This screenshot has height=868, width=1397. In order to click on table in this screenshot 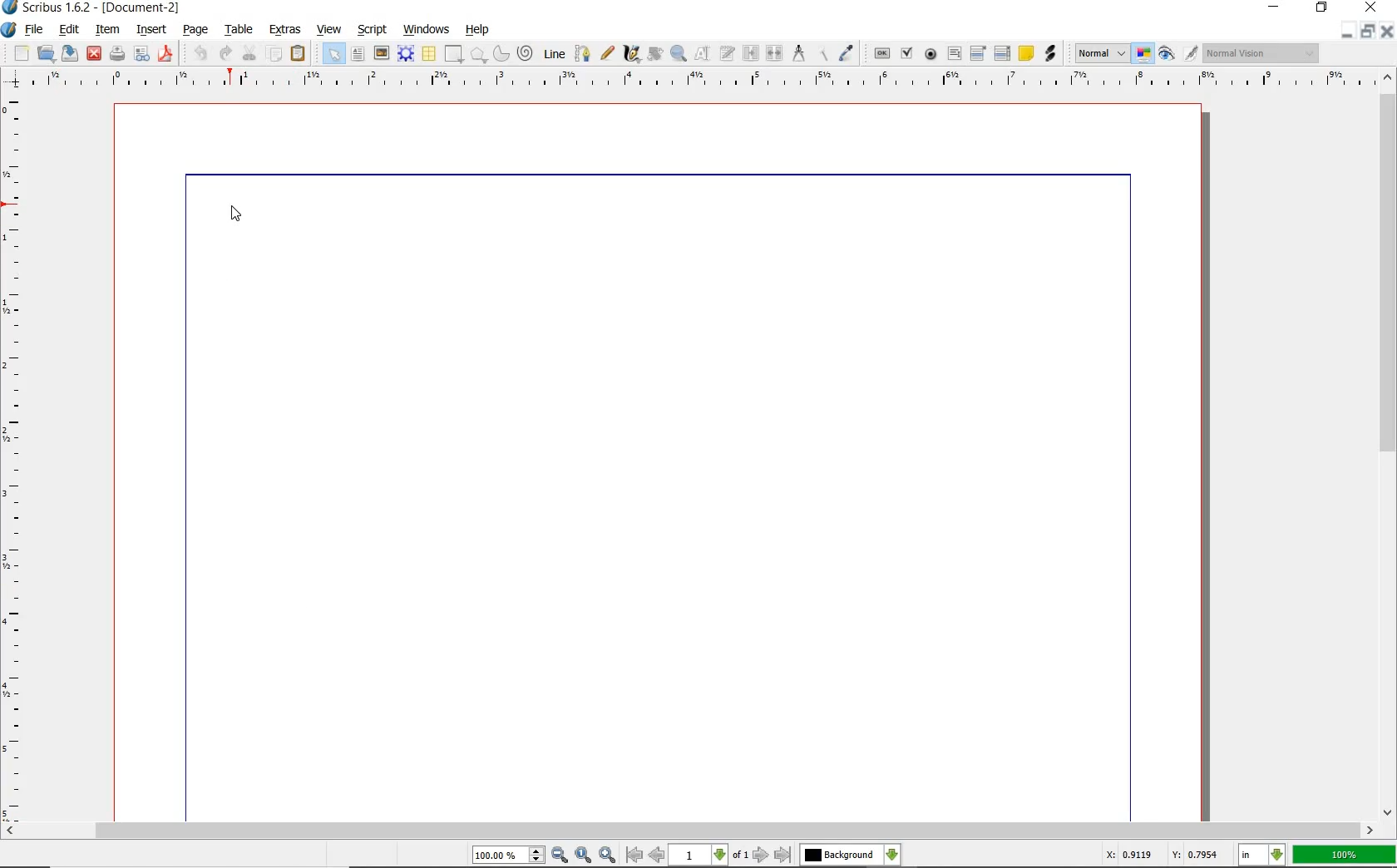, I will do `click(430, 54)`.